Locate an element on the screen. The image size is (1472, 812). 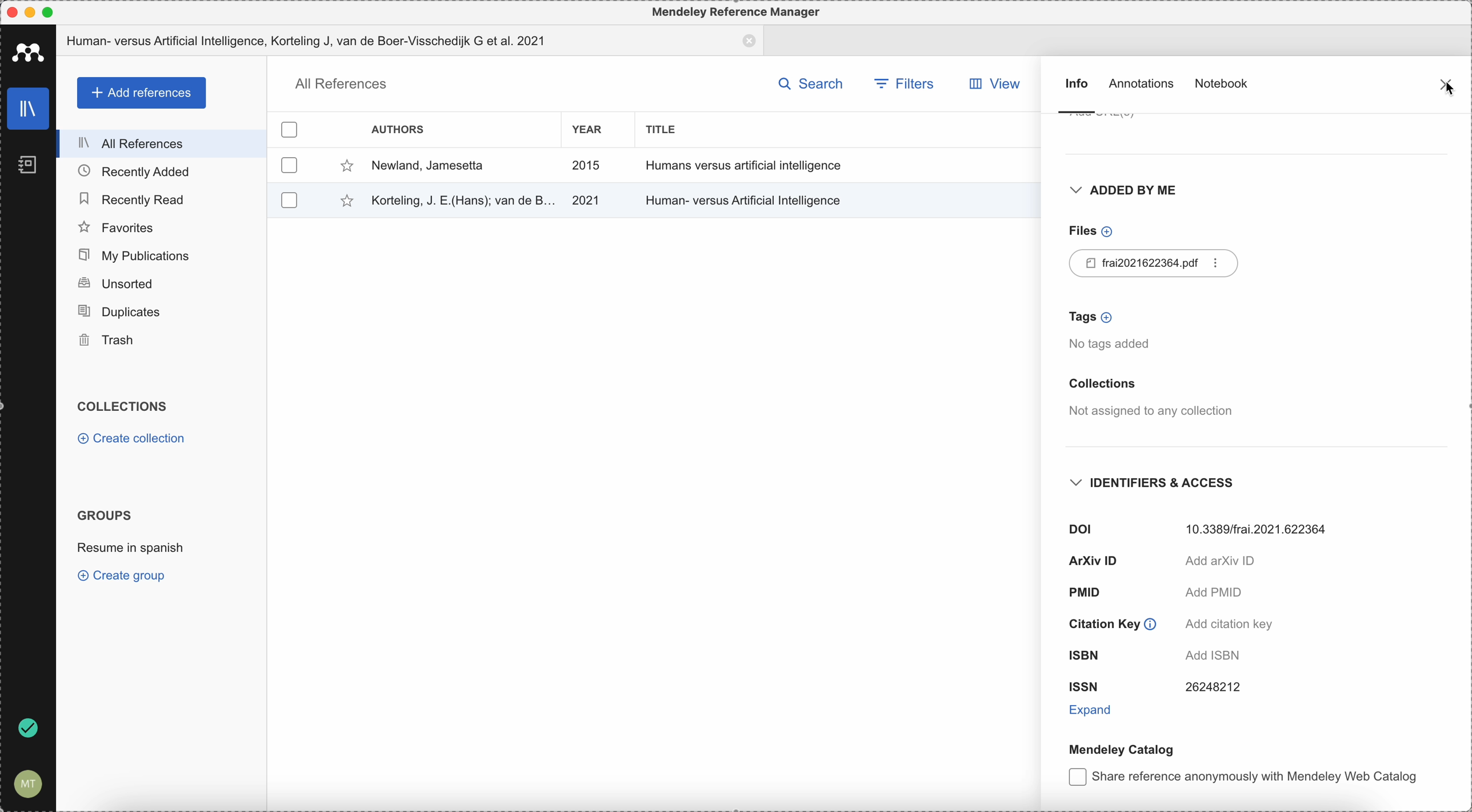
notebooks is located at coordinates (23, 162).